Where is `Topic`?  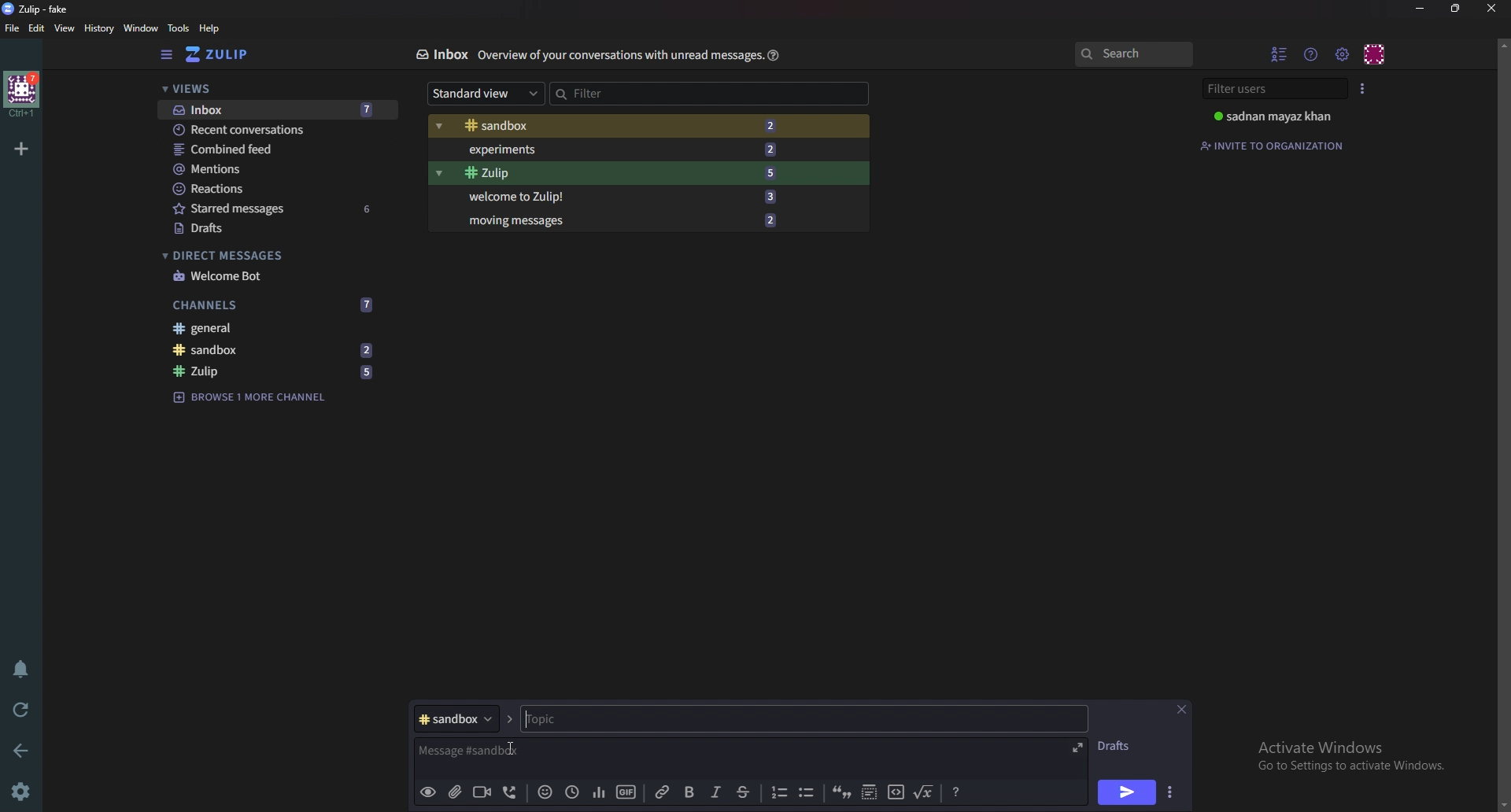 Topic is located at coordinates (801, 718).